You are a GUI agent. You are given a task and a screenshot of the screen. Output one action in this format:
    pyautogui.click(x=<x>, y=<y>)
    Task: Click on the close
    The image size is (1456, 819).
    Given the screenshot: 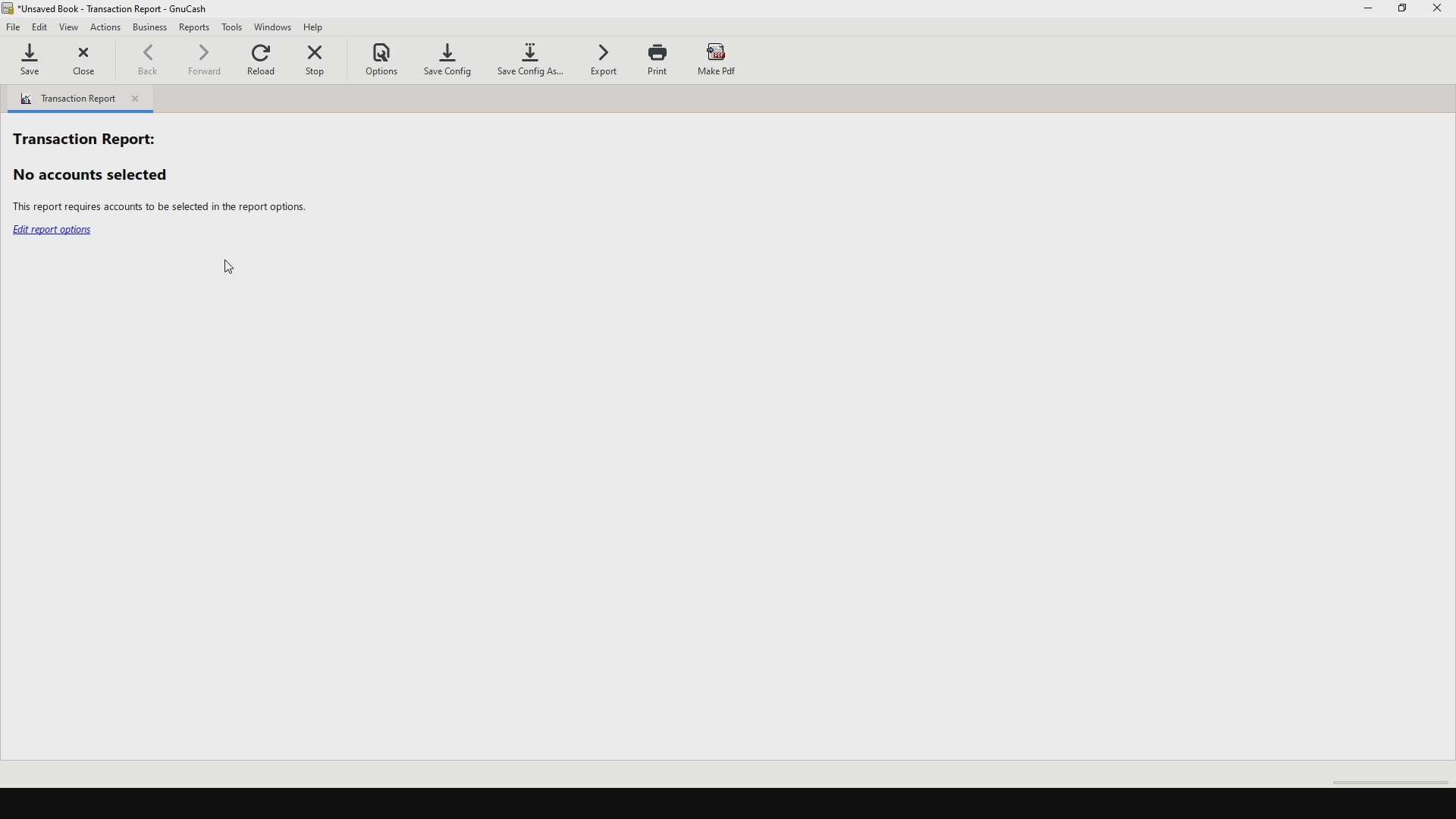 What is the action you would take?
    pyautogui.click(x=138, y=99)
    